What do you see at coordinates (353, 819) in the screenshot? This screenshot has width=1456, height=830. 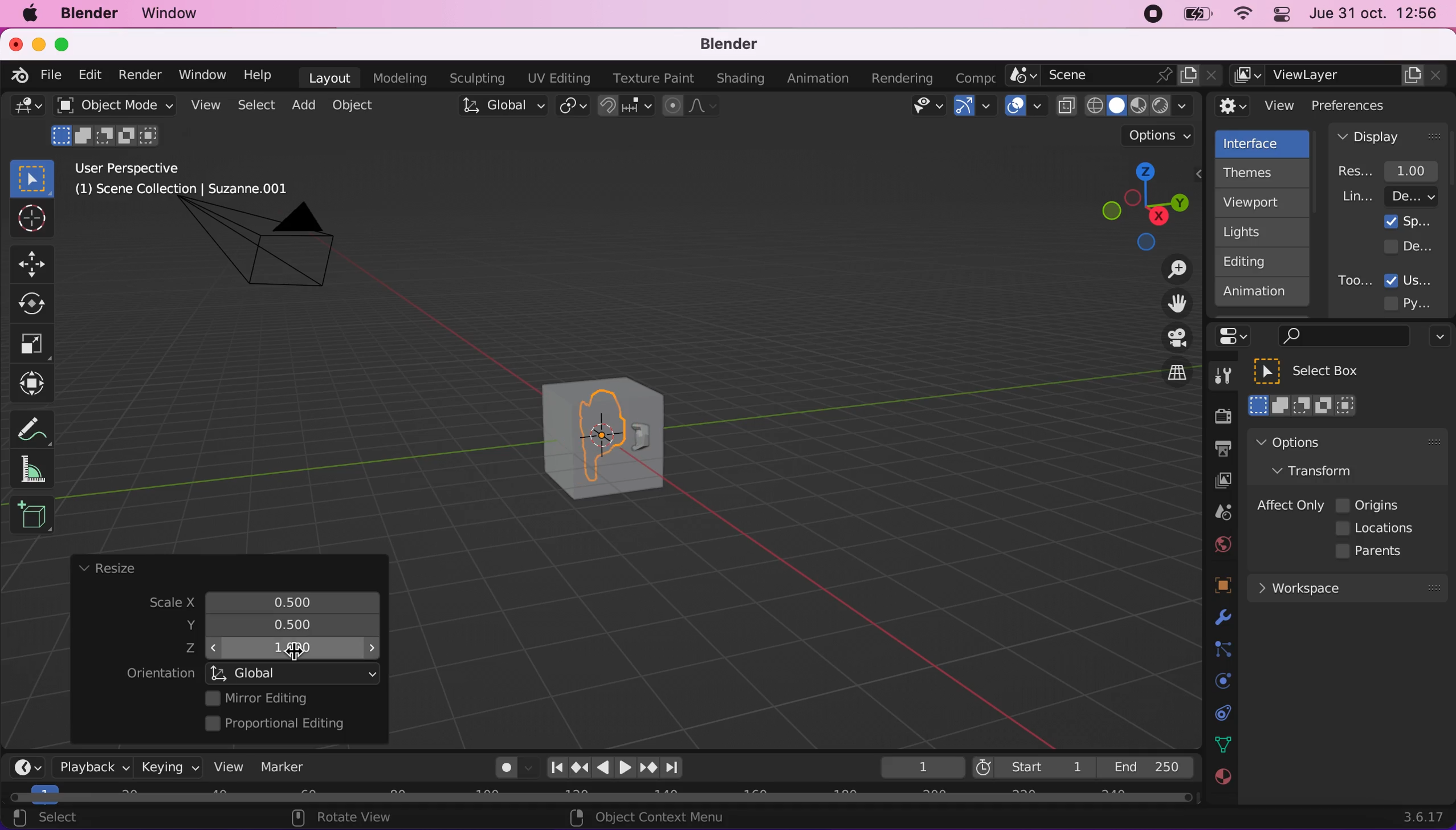 I see `rotate view` at bounding box center [353, 819].